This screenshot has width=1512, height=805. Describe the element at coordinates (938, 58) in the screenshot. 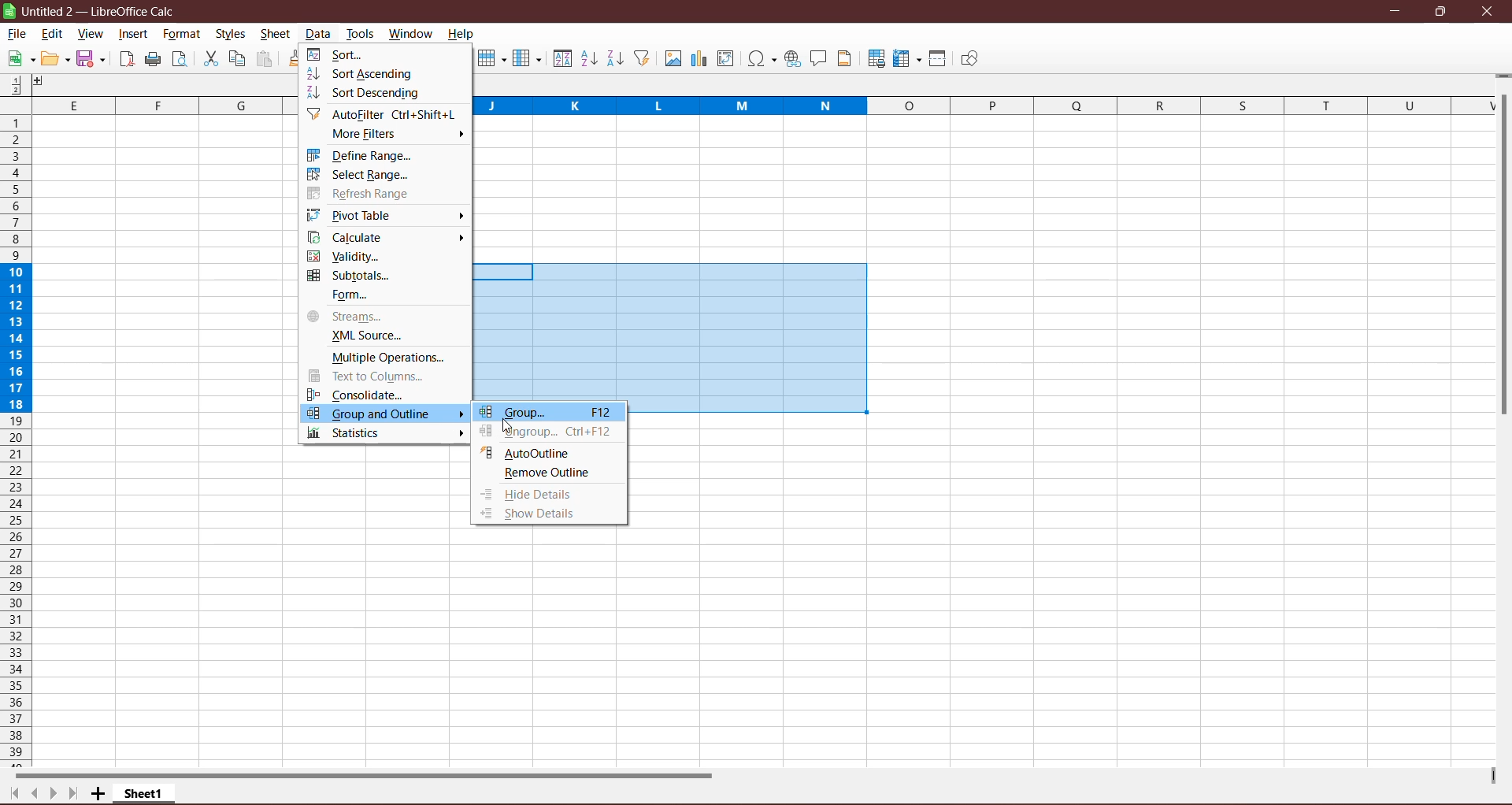

I see `Split Windows` at that location.